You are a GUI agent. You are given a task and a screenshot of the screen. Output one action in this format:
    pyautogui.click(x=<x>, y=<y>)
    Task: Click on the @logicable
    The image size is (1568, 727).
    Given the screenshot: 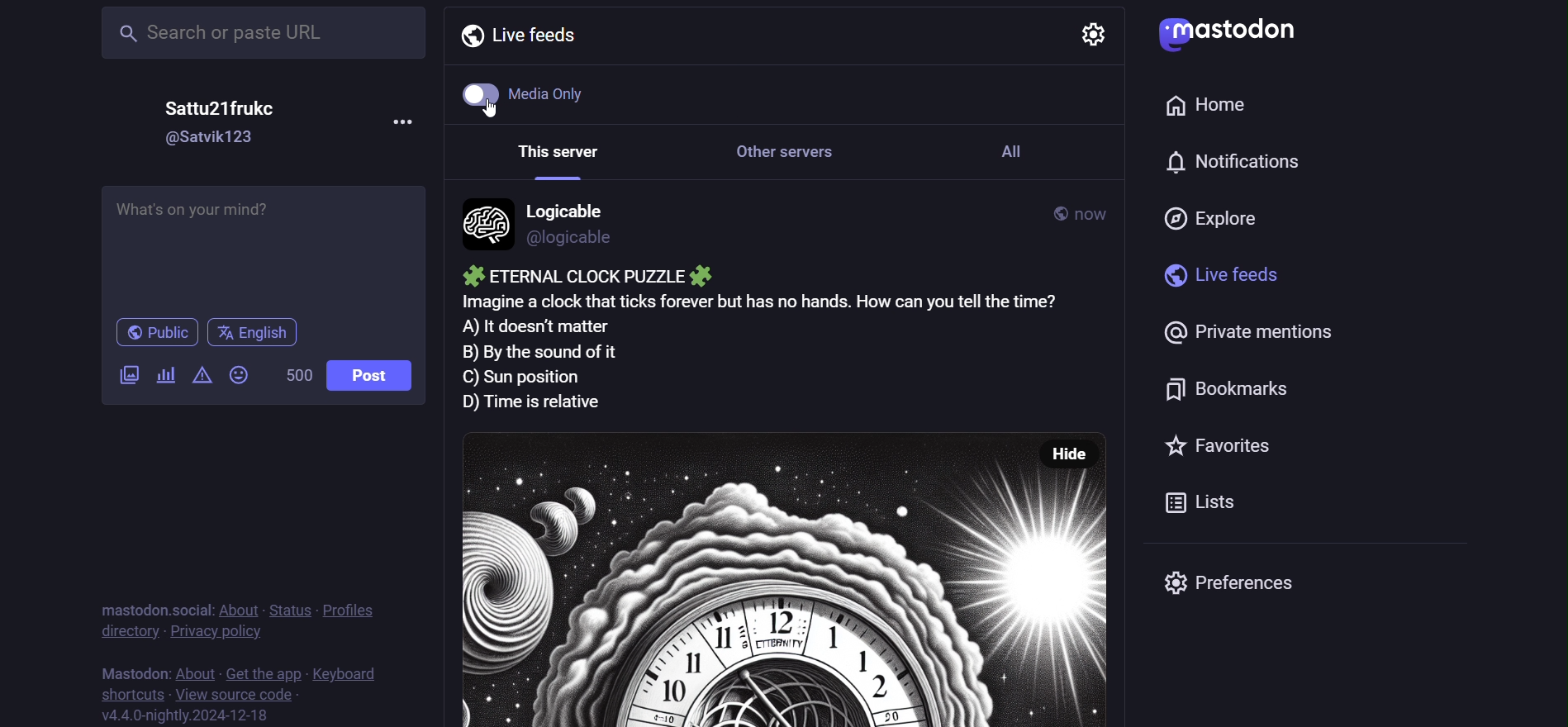 What is the action you would take?
    pyautogui.click(x=570, y=240)
    